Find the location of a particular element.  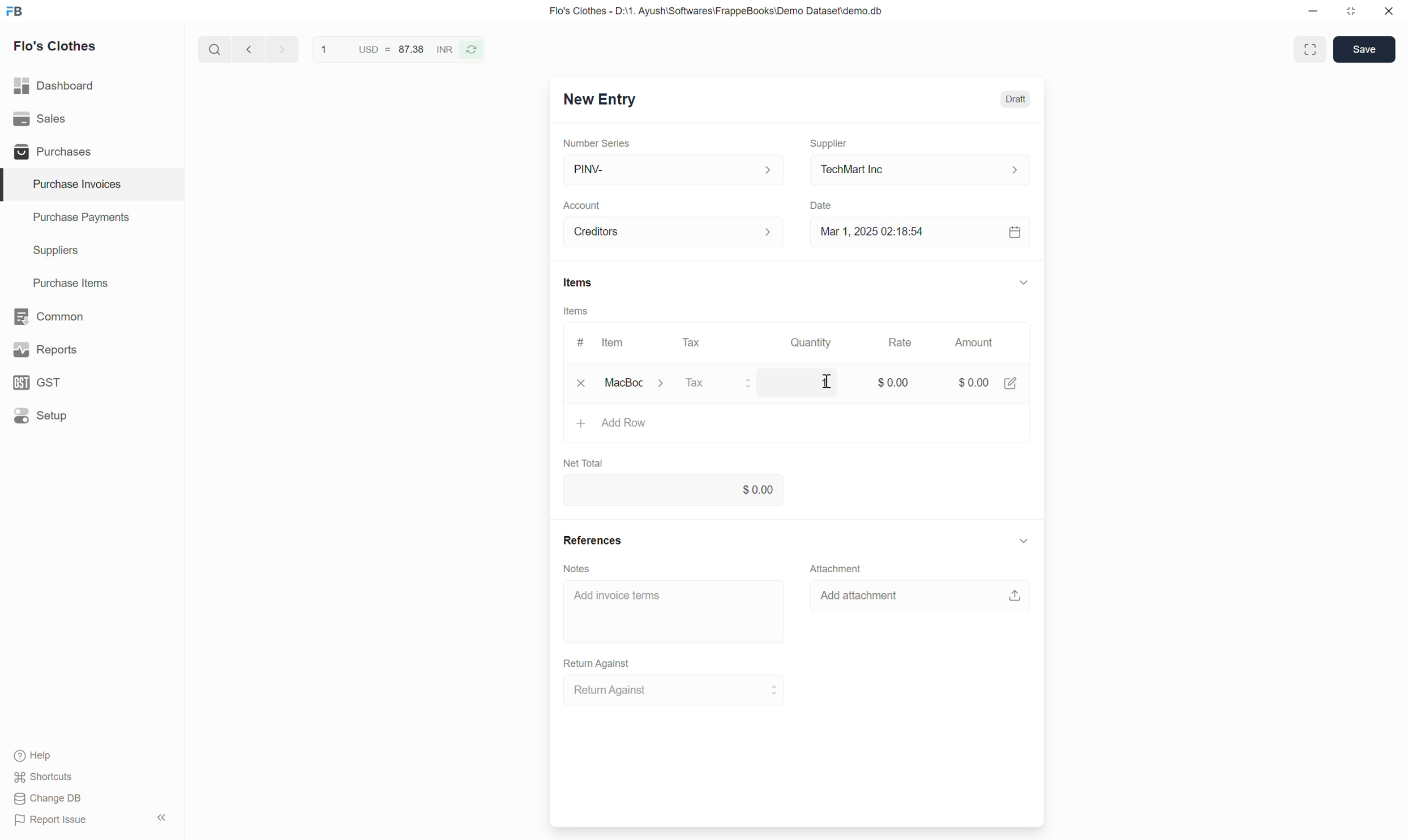

Date is located at coordinates (822, 206).